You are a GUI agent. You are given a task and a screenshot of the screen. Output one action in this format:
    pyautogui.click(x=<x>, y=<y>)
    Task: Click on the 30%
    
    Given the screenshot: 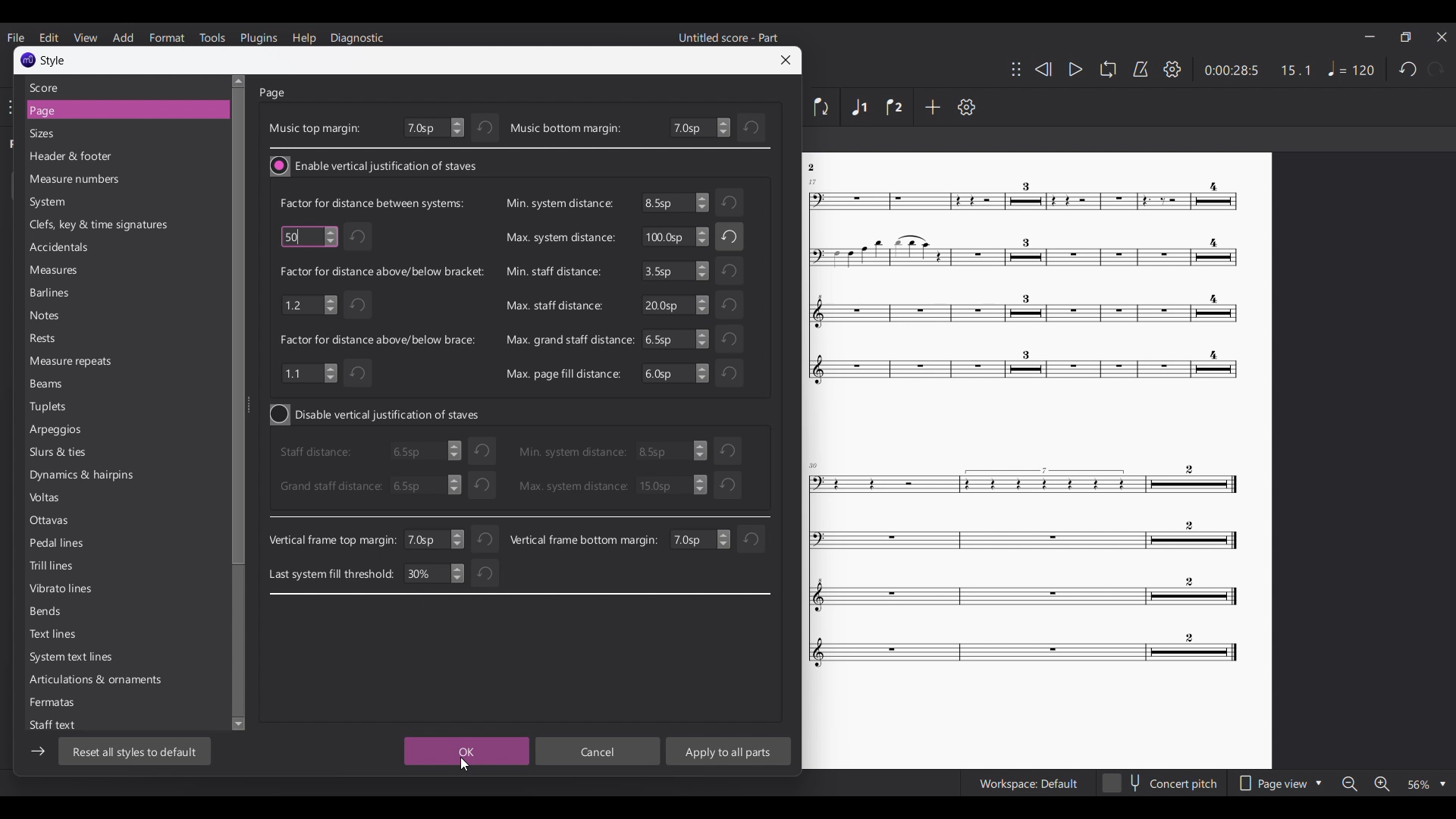 What is the action you would take?
    pyautogui.click(x=433, y=575)
    